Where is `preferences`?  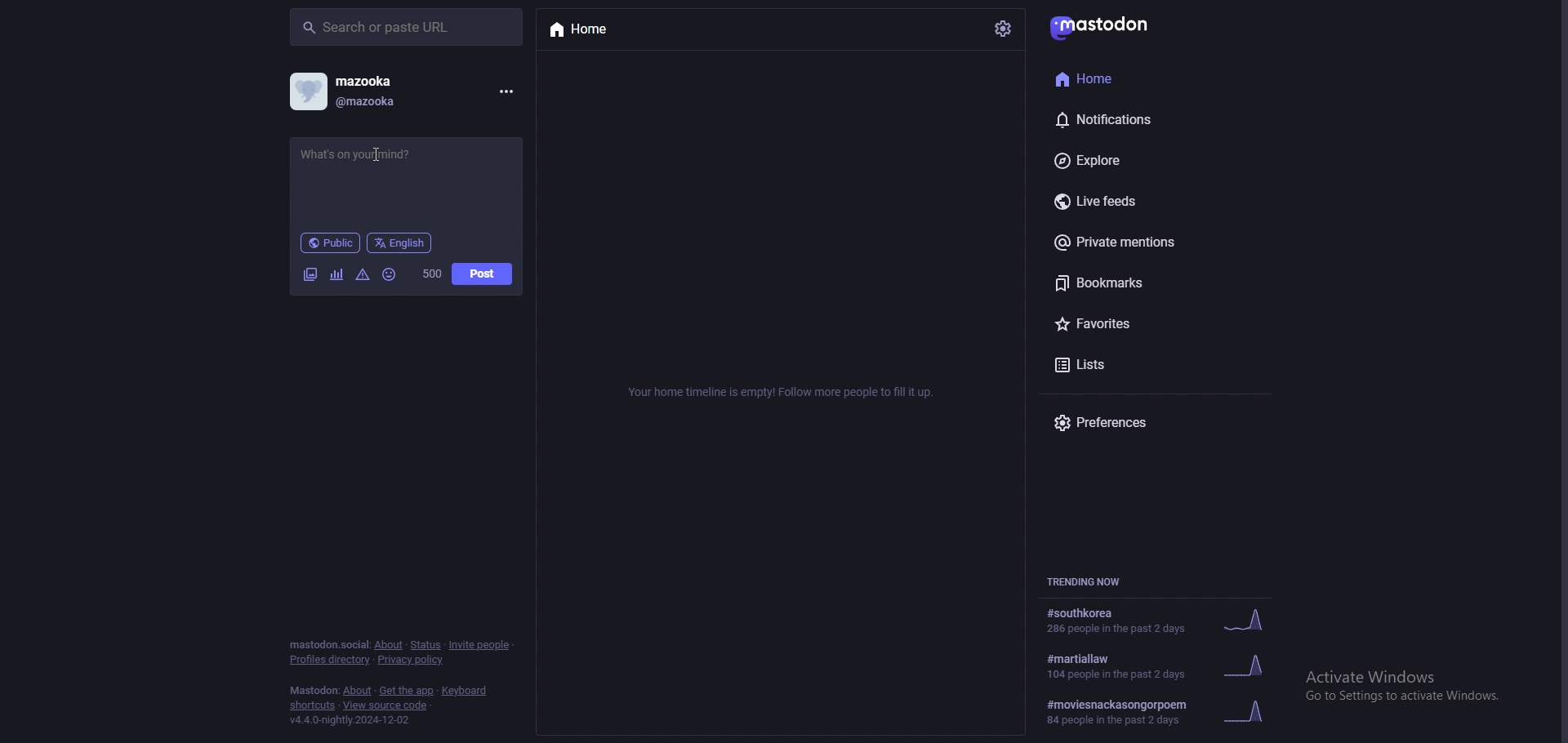
preferences is located at coordinates (1142, 422).